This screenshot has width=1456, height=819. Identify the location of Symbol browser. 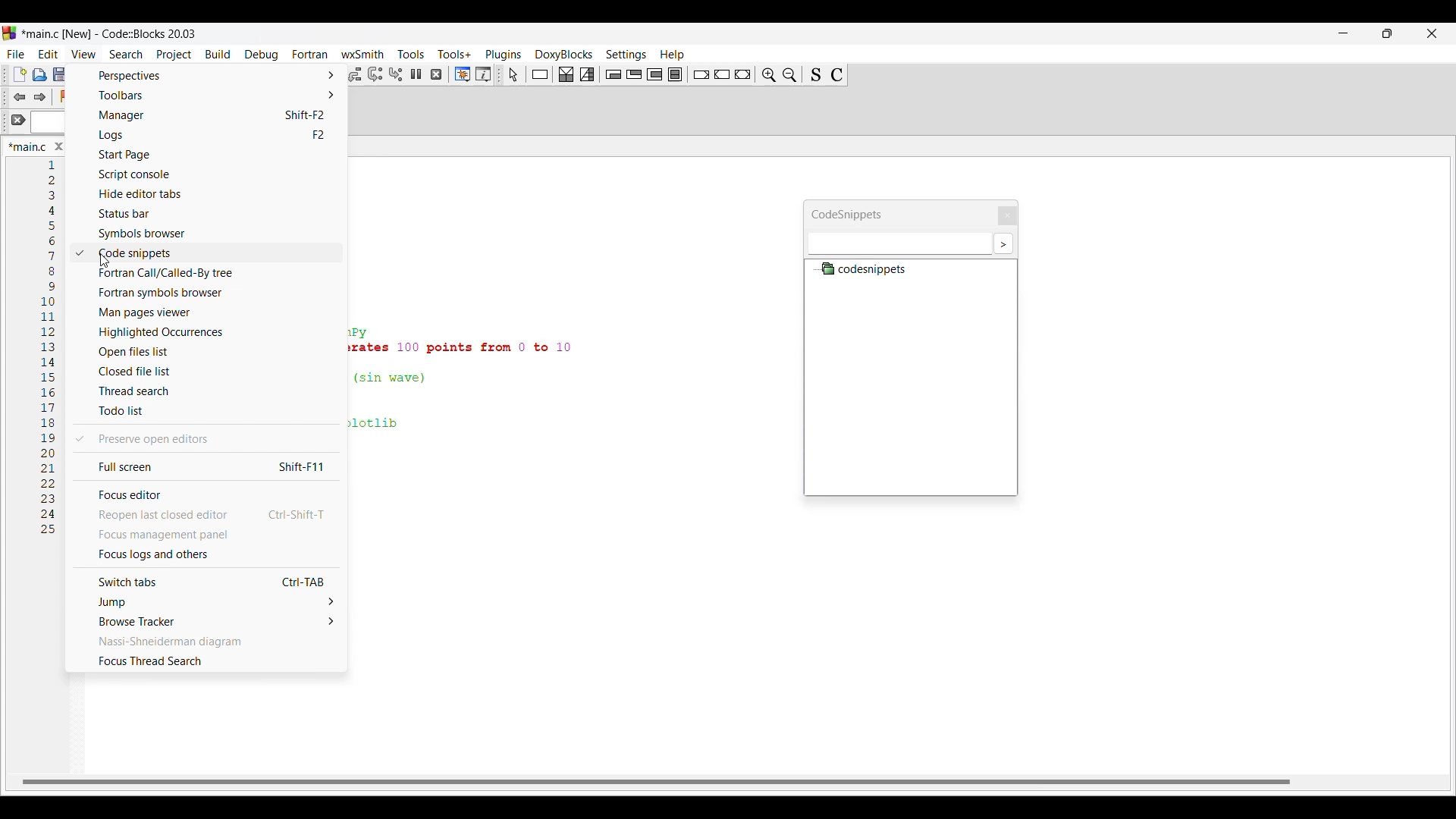
(218, 234).